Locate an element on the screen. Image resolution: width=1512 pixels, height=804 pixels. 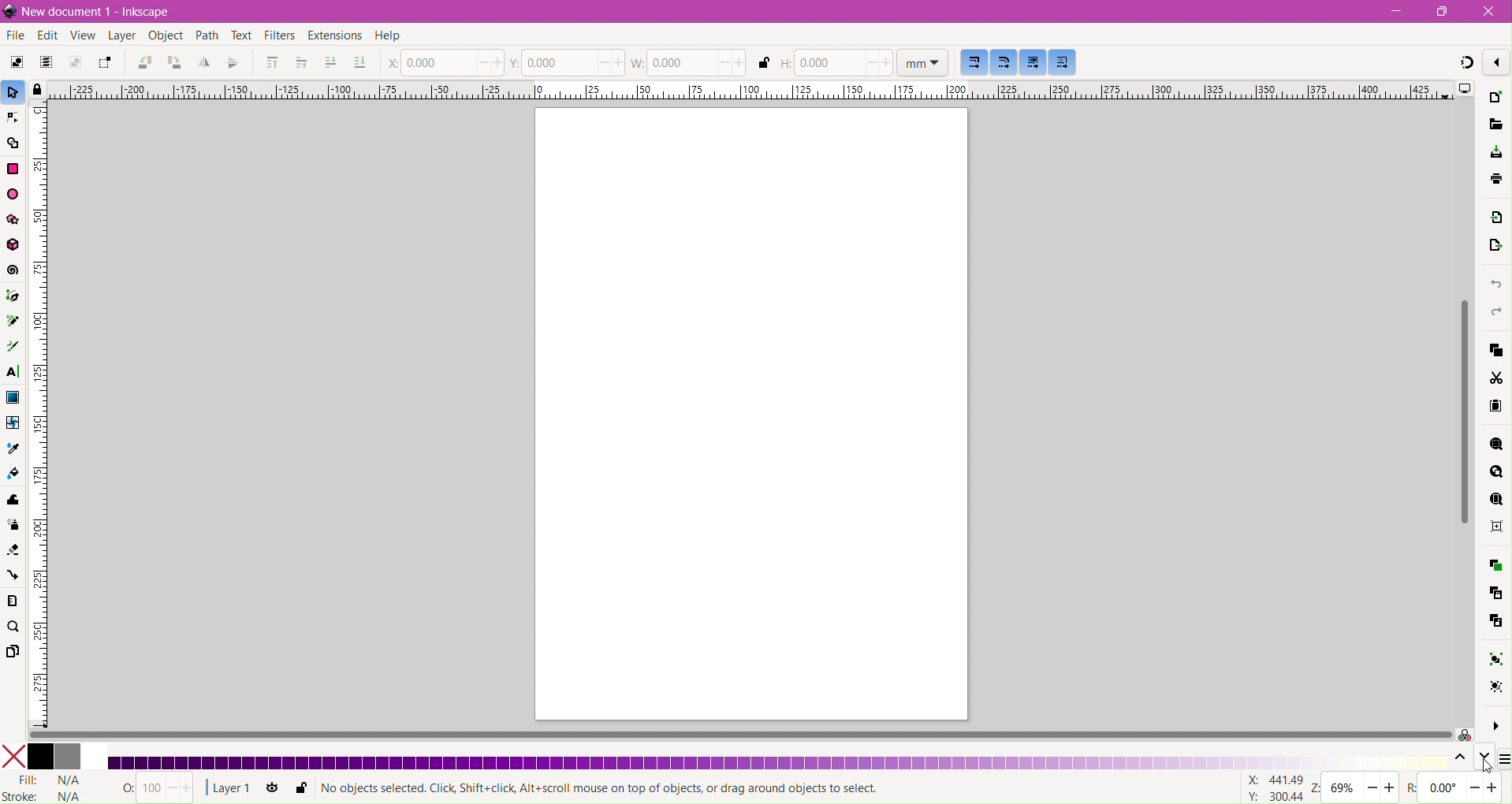
Spiral Tool is located at coordinates (13, 271).